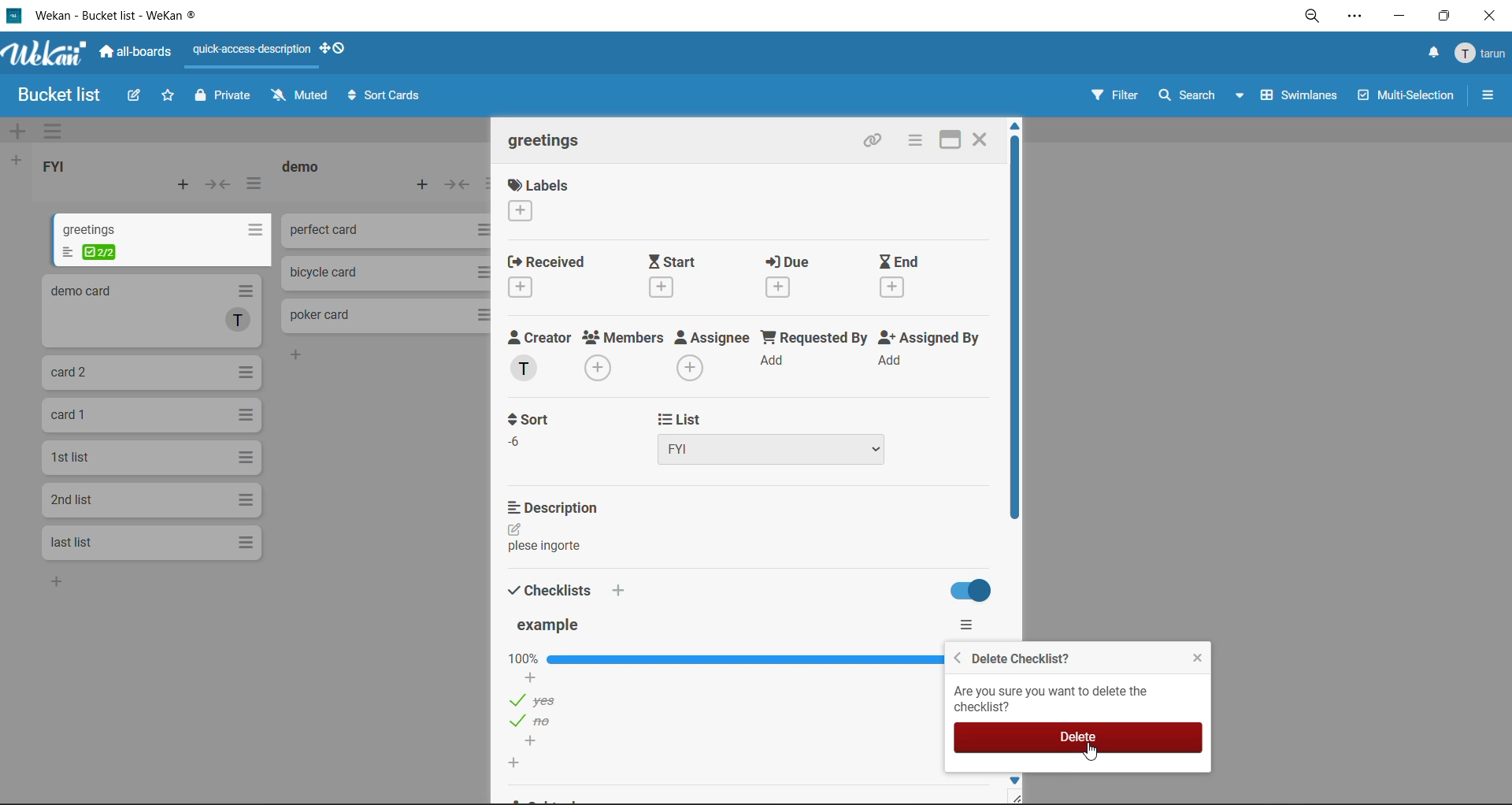 The image size is (1512, 805). I want to click on cards, so click(150, 417).